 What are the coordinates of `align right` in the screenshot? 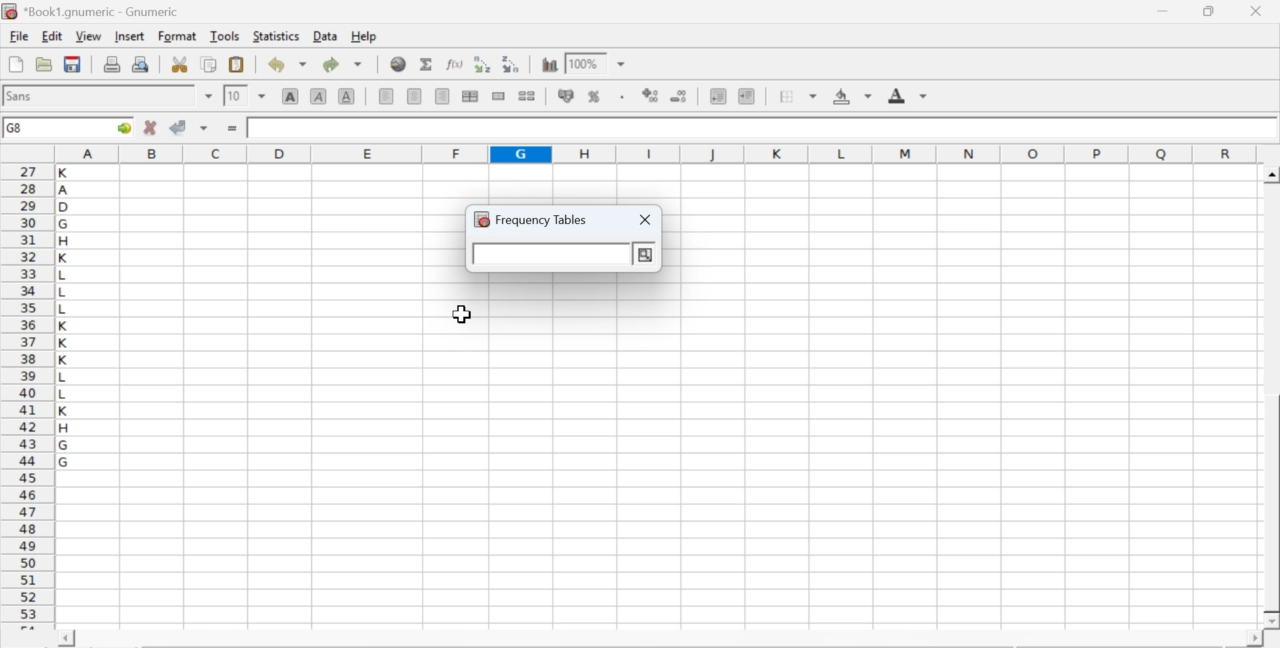 It's located at (442, 97).